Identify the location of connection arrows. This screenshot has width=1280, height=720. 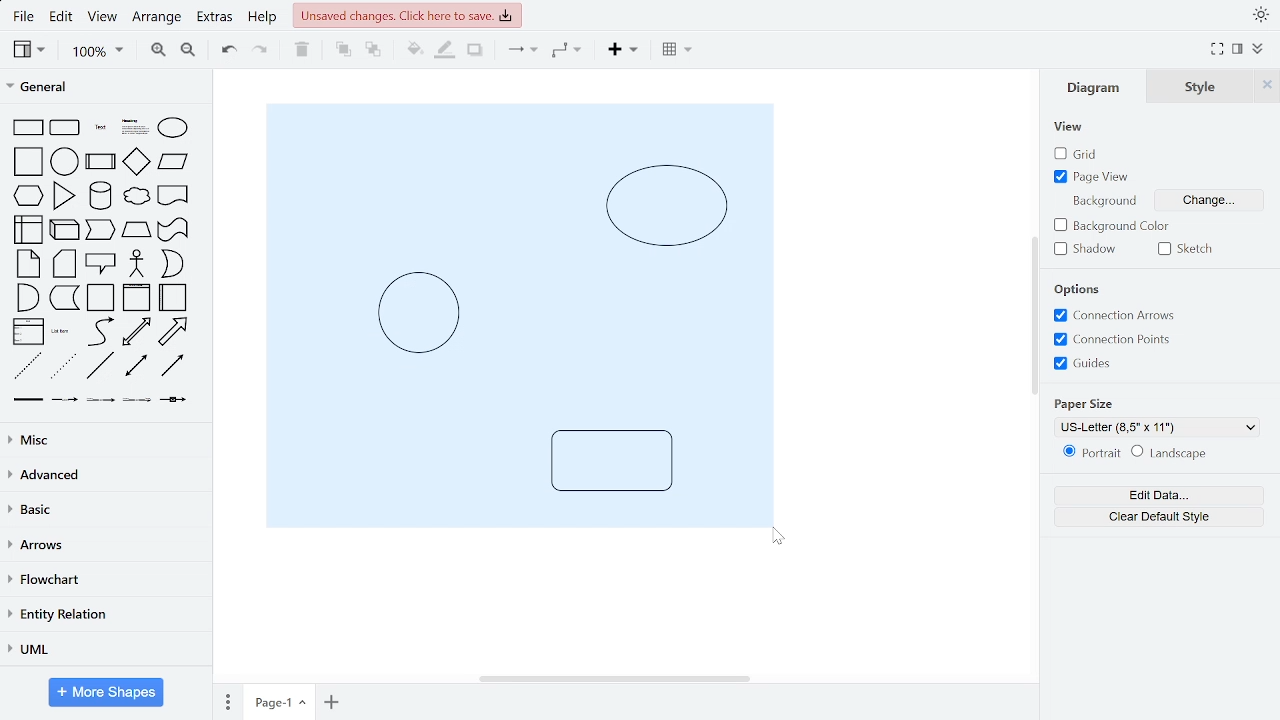
(1114, 315).